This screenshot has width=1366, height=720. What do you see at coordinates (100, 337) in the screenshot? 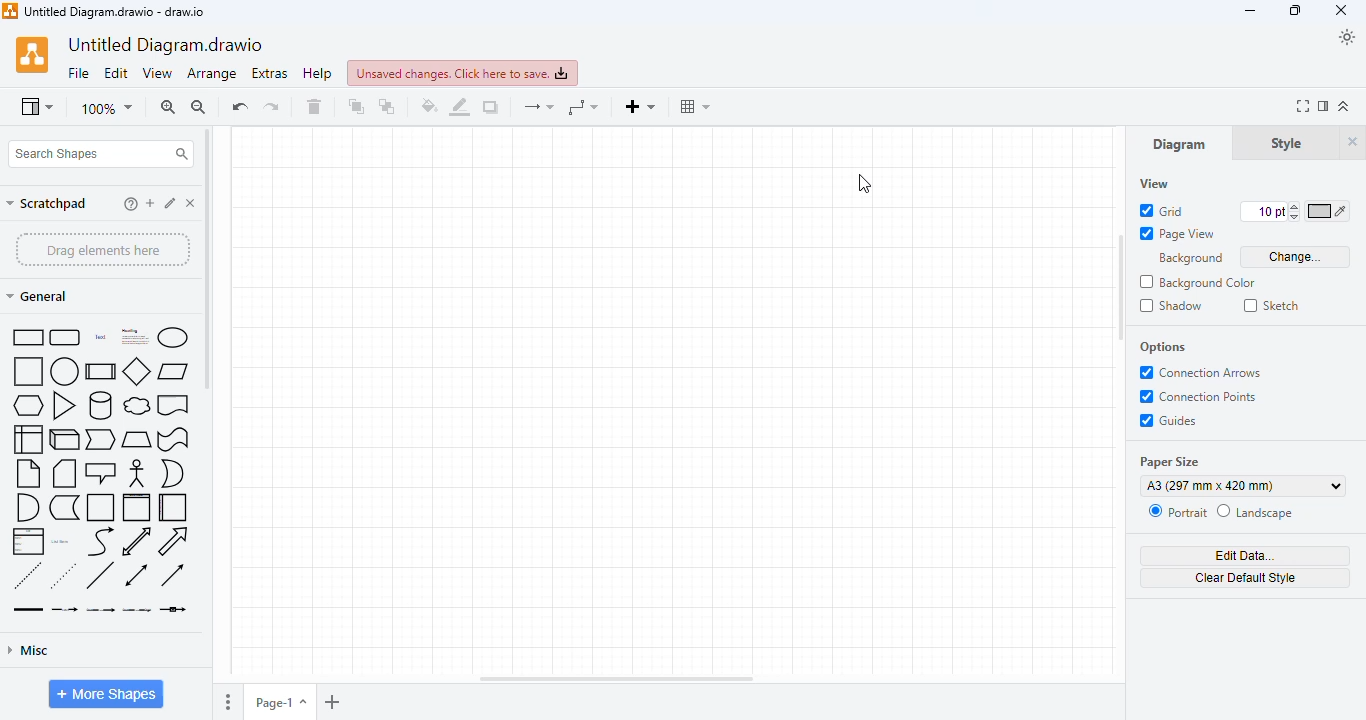
I see `text` at bounding box center [100, 337].